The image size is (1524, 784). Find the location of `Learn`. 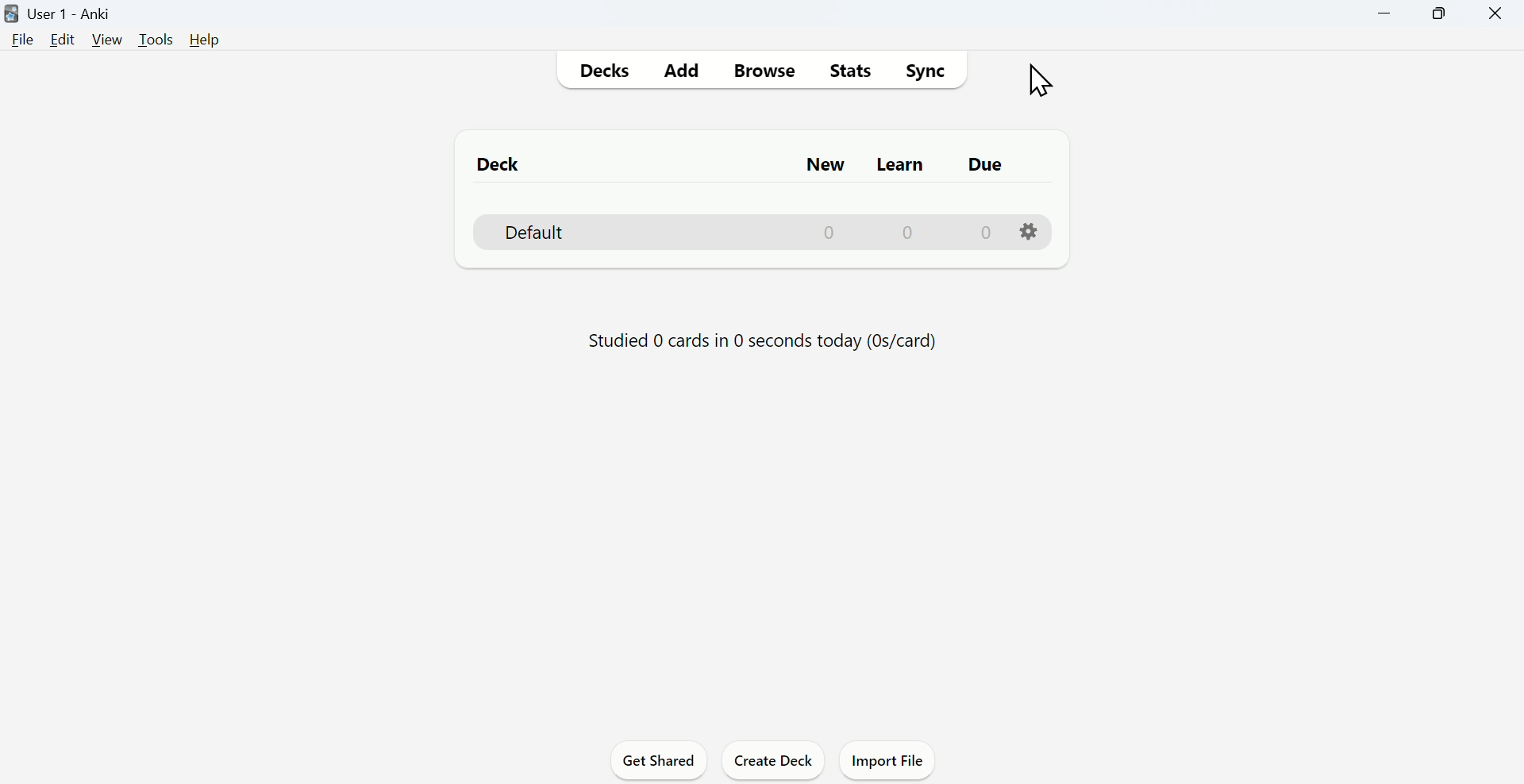

Learn is located at coordinates (900, 164).